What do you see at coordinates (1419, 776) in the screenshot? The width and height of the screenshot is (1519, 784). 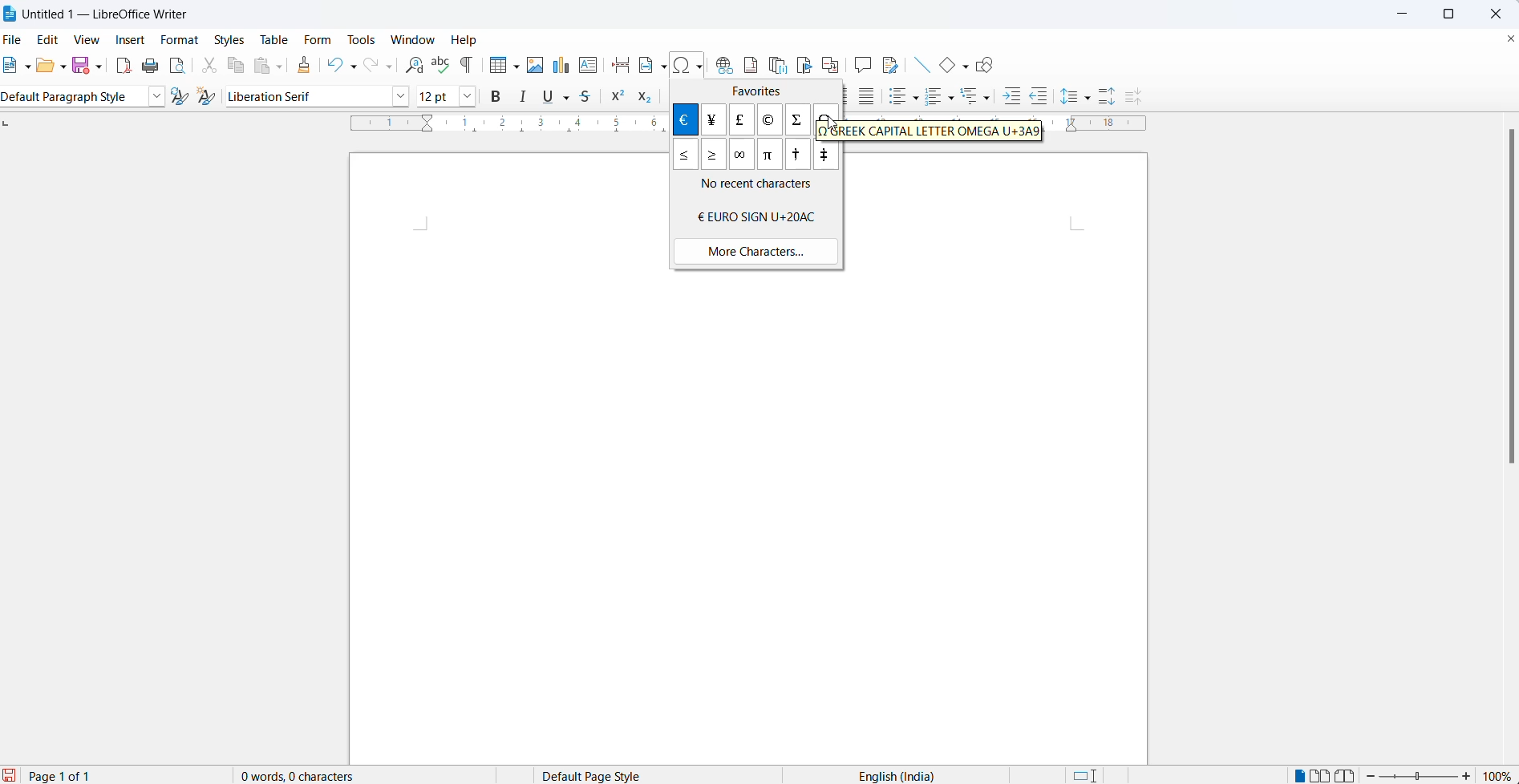 I see `zoom slider` at bounding box center [1419, 776].